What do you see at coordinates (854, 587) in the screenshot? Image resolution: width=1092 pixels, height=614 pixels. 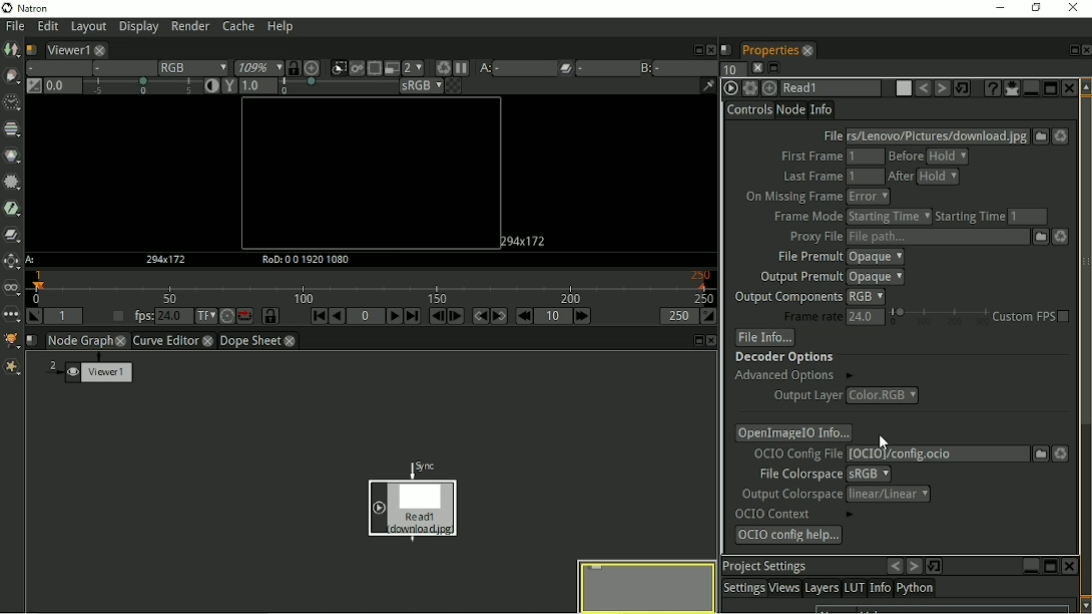 I see `LUT` at bounding box center [854, 587].